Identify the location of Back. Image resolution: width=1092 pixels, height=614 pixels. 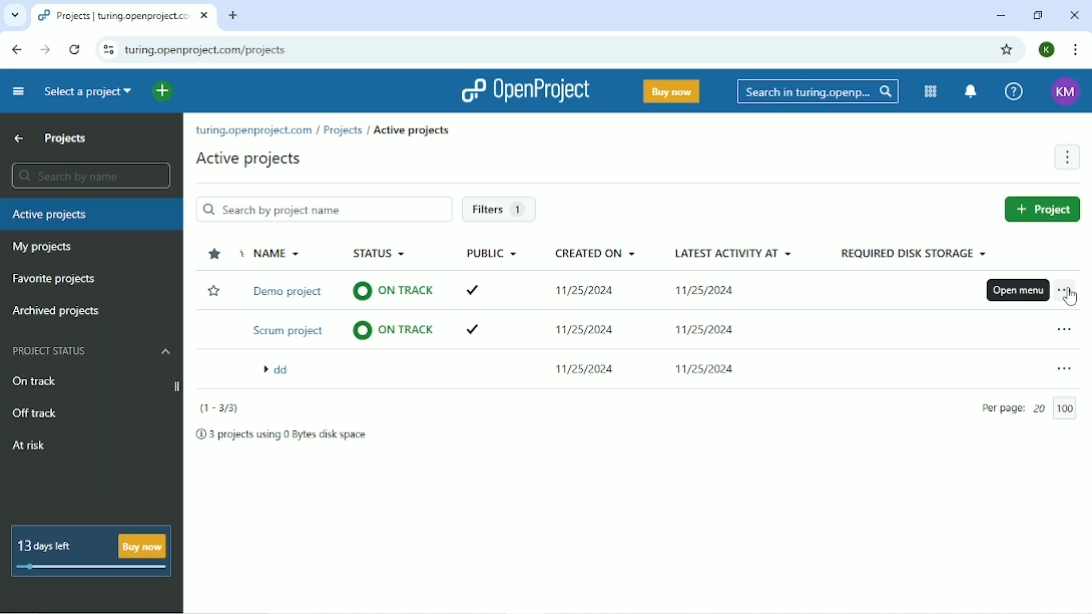
(15, 49).